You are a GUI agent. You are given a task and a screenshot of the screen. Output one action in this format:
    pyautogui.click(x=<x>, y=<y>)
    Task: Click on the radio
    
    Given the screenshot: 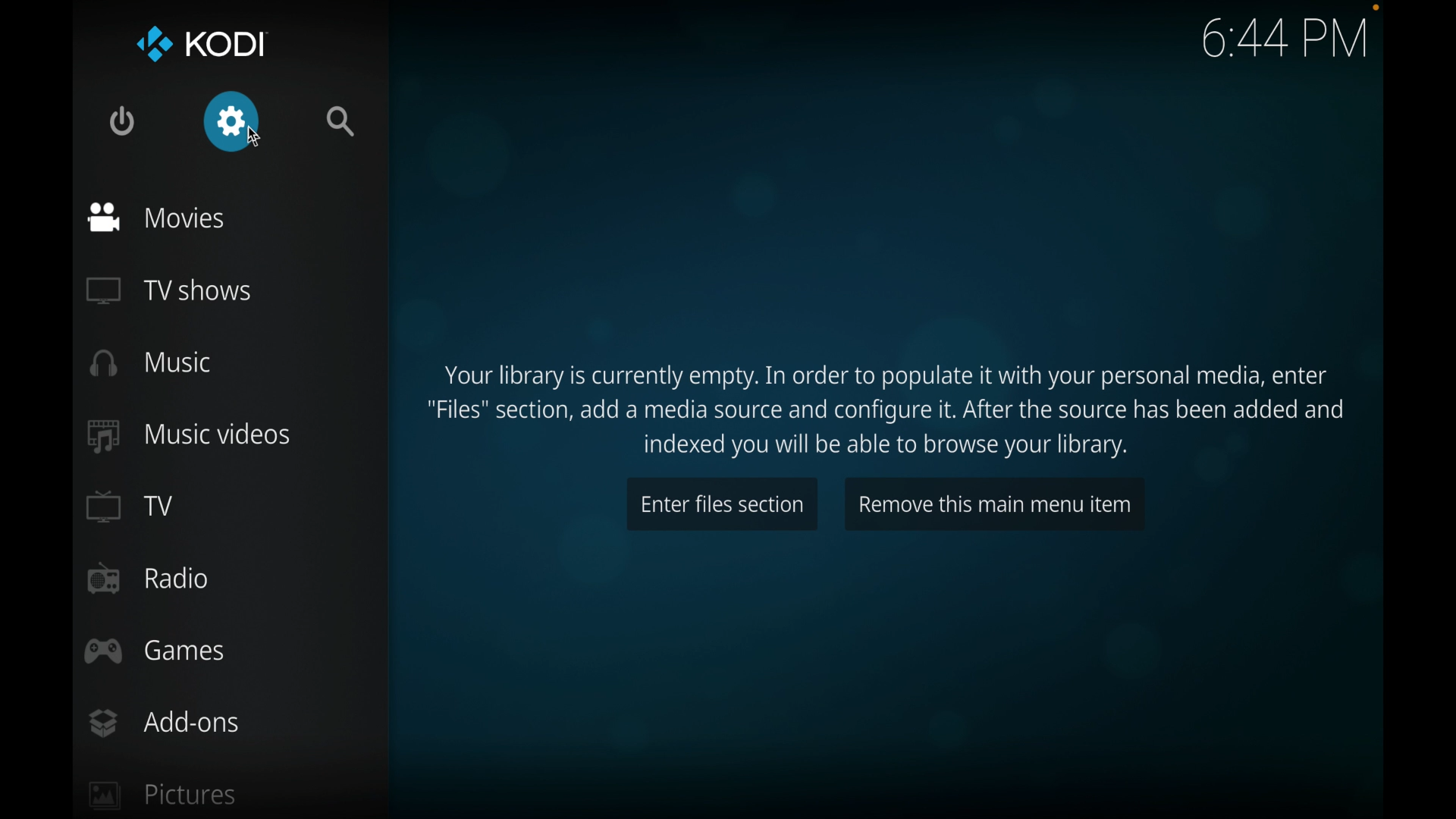 What is the action you would take?
    pyautogui.click(x=147, y=579)
    